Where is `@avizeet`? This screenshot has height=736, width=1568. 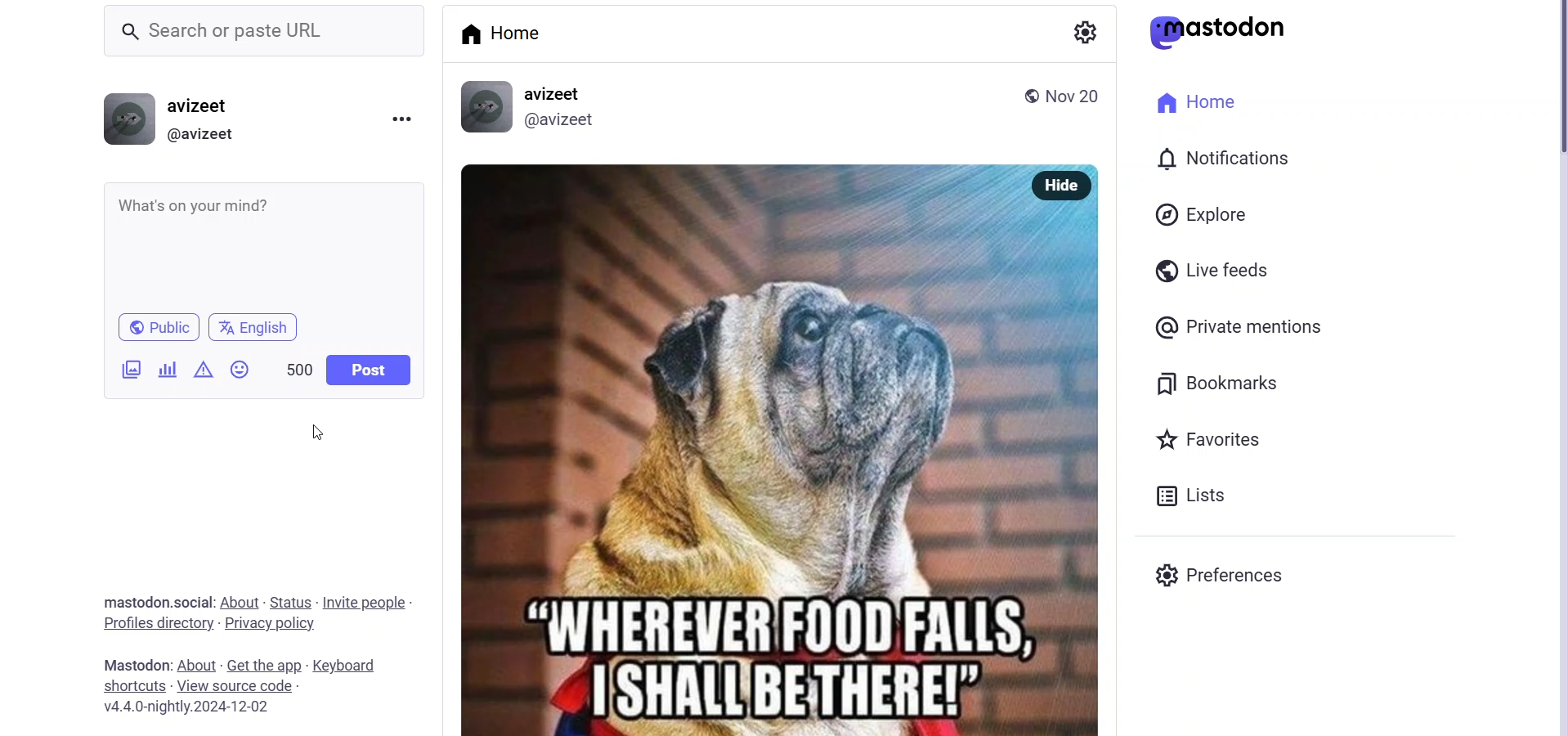 @avizeet is located at coordinates (562, 120).